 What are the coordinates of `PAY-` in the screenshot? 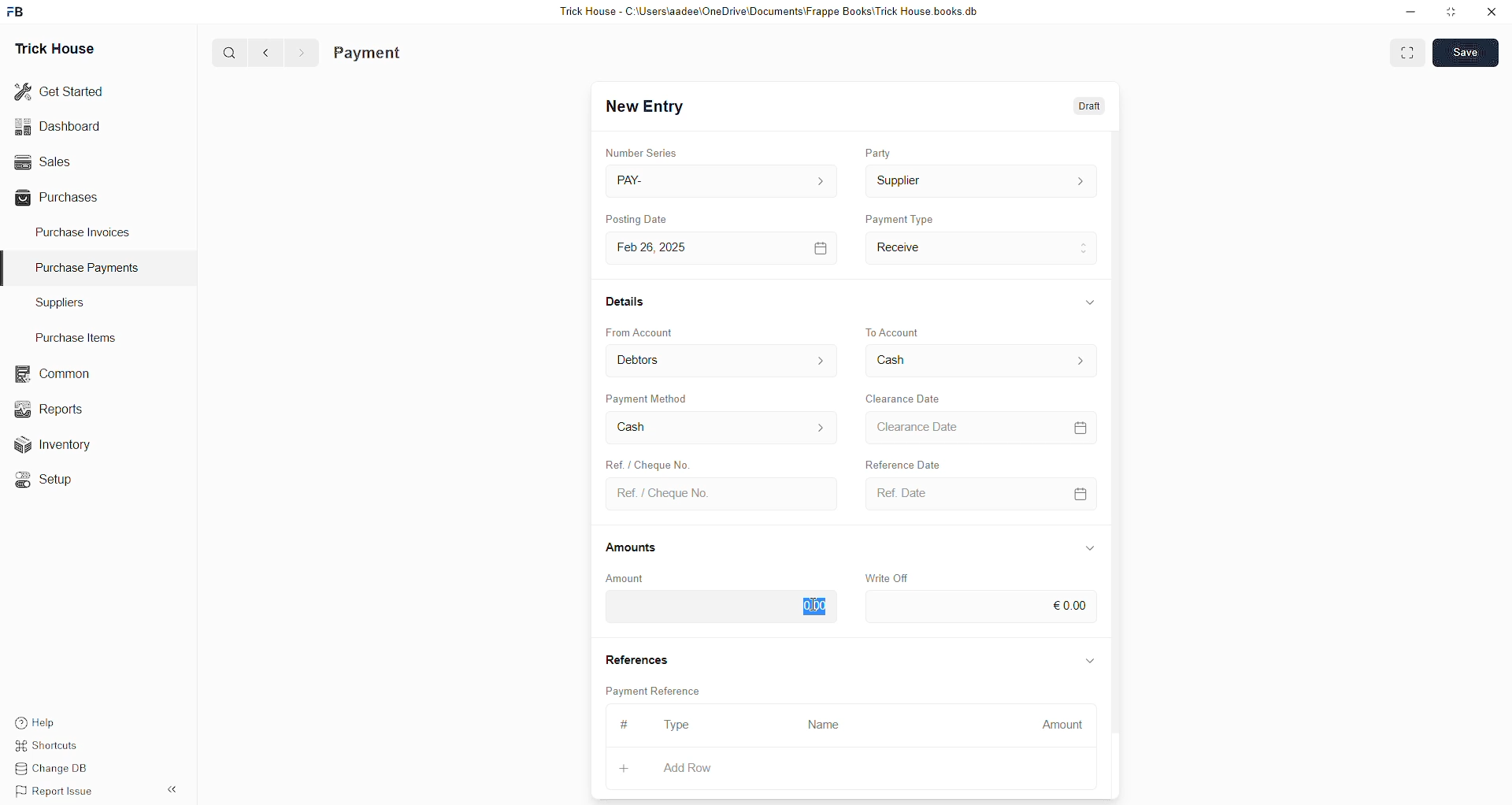 It's located at (720, 179).